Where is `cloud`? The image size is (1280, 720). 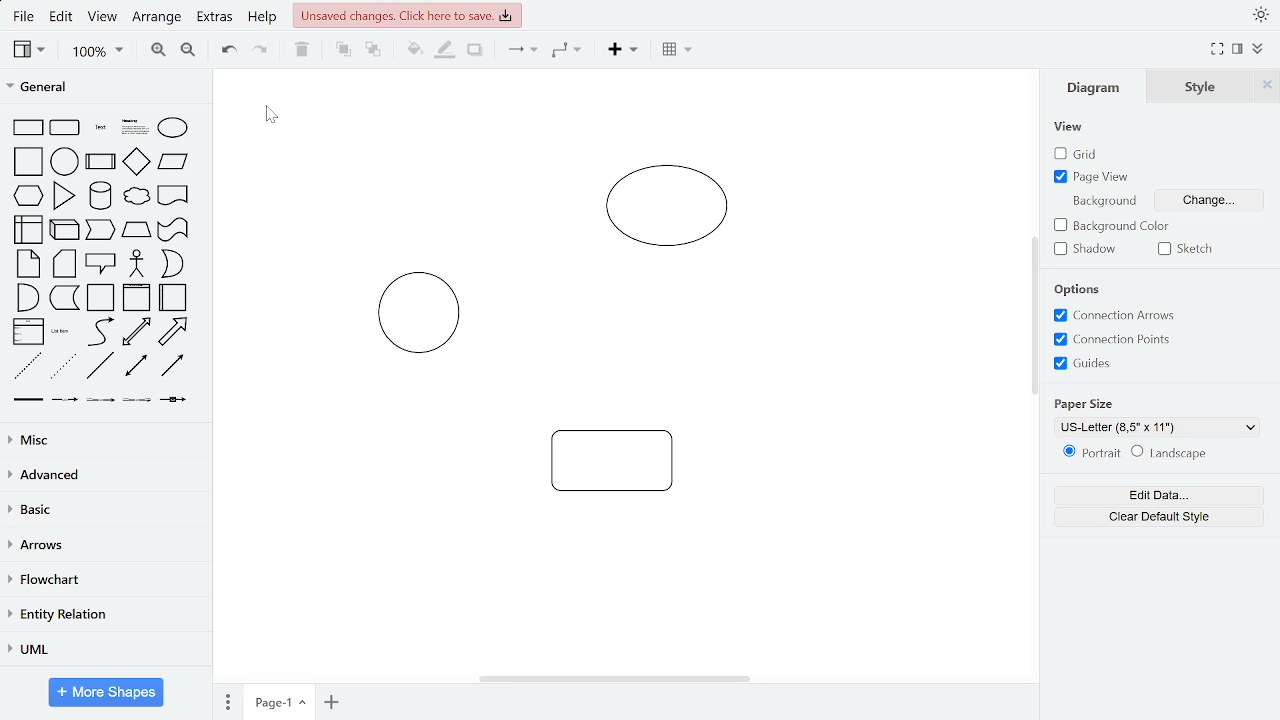 cloud is located at coordinates (135, 196).